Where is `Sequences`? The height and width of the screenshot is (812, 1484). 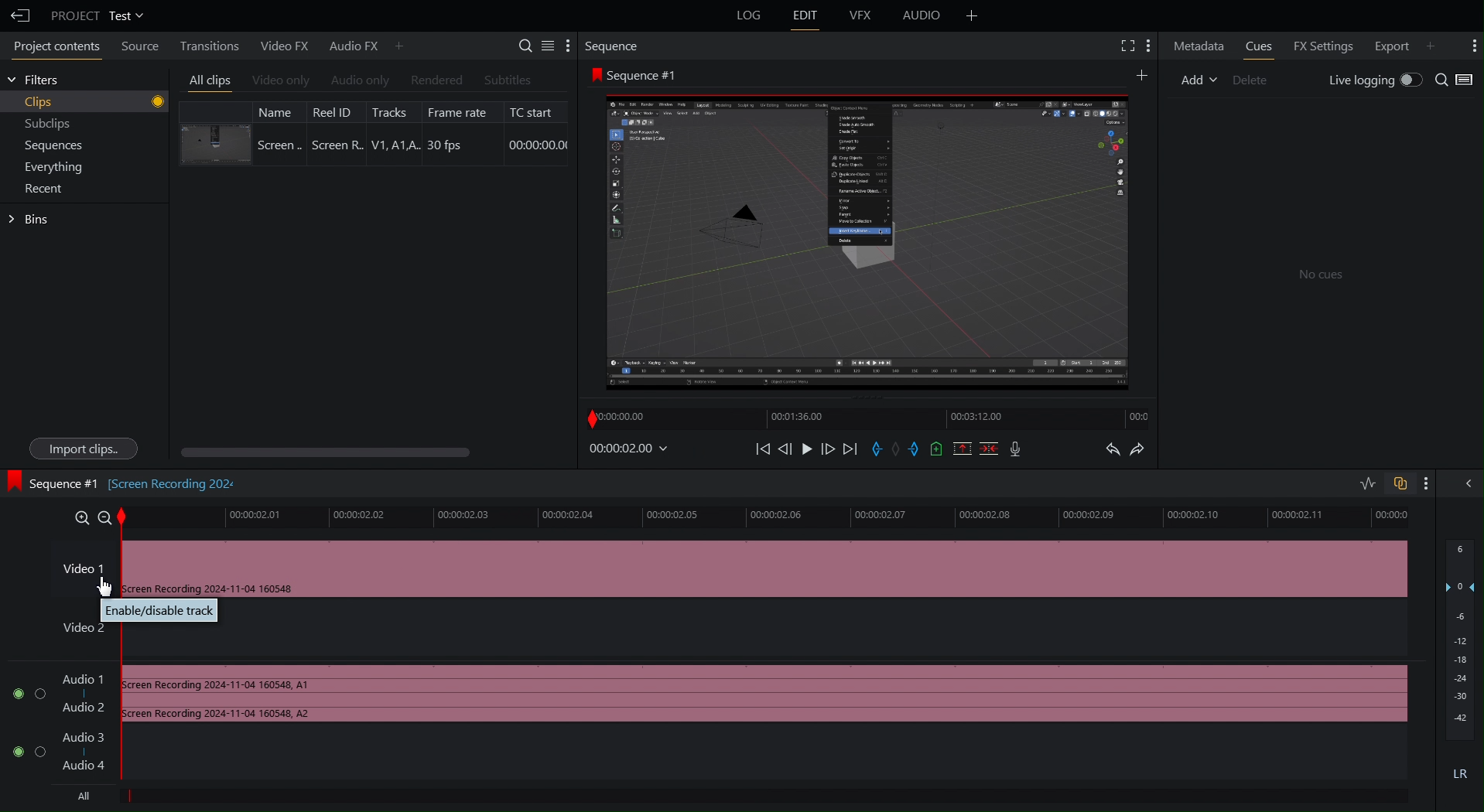
Sequences is located at coordinates (46, 146).